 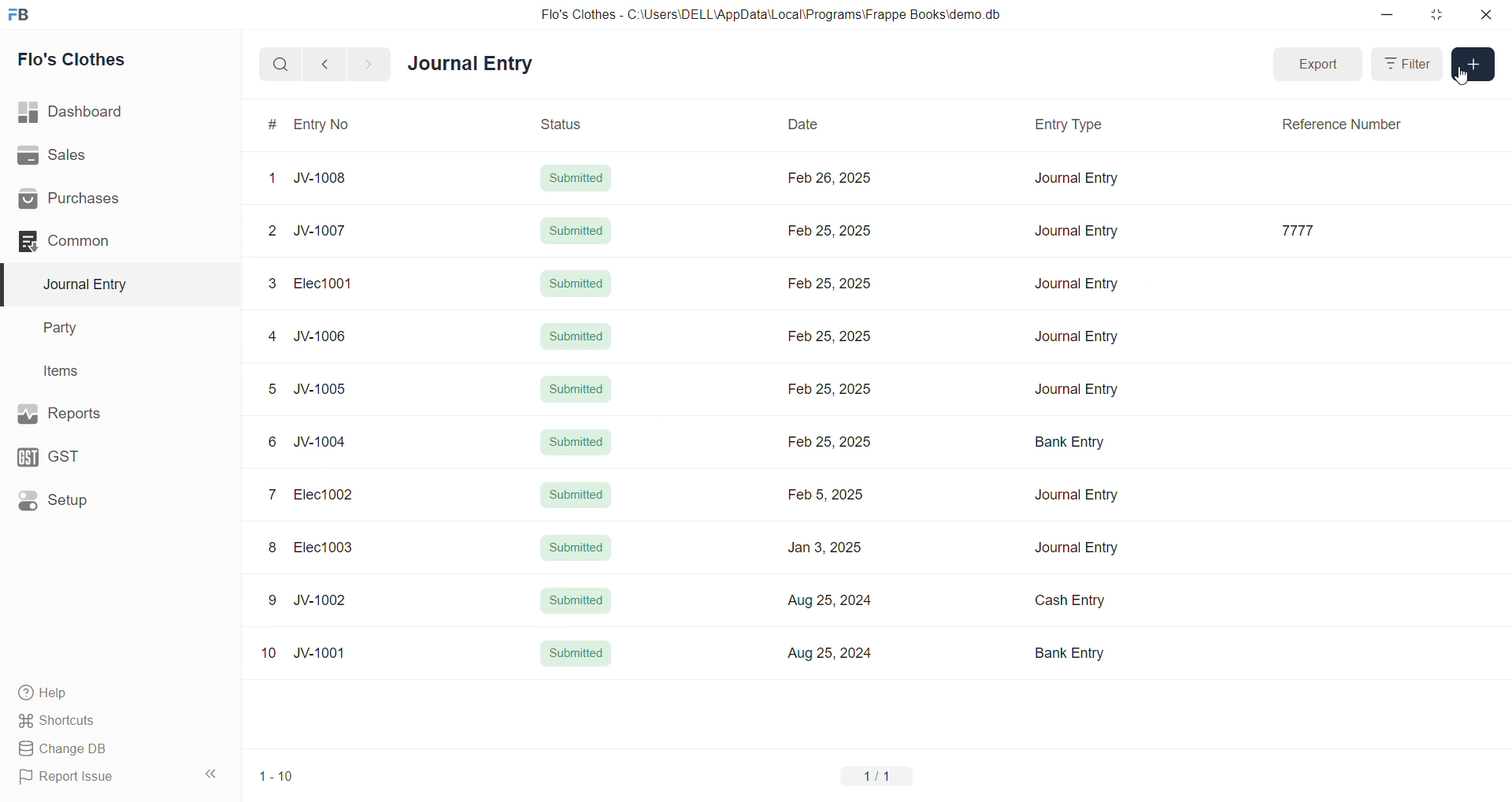 I want to click on Journal Entry, so click(x=1072, y=338).